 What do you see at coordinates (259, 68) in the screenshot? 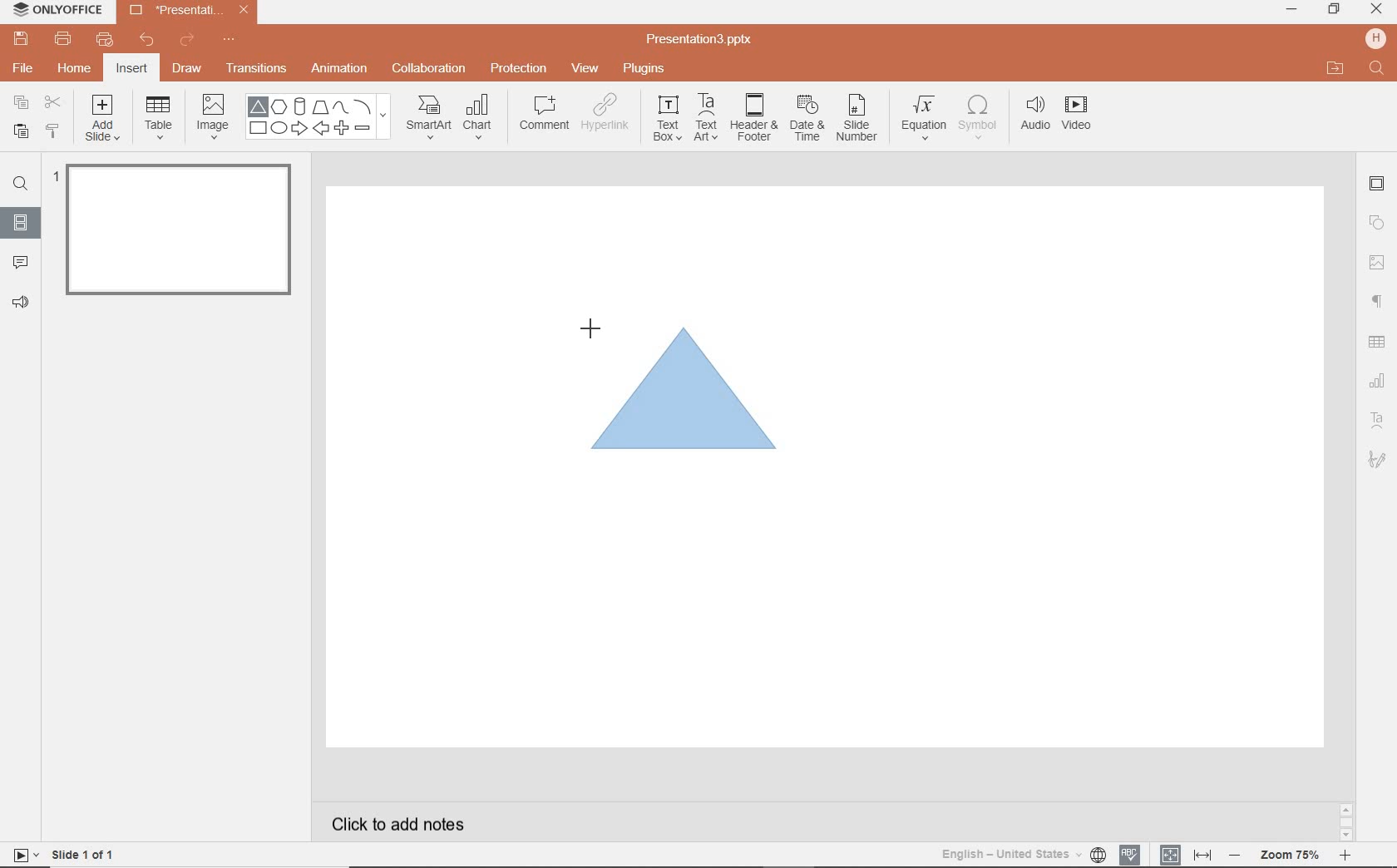
I see `TRANSITIONS` at bounding box center [259, 68].